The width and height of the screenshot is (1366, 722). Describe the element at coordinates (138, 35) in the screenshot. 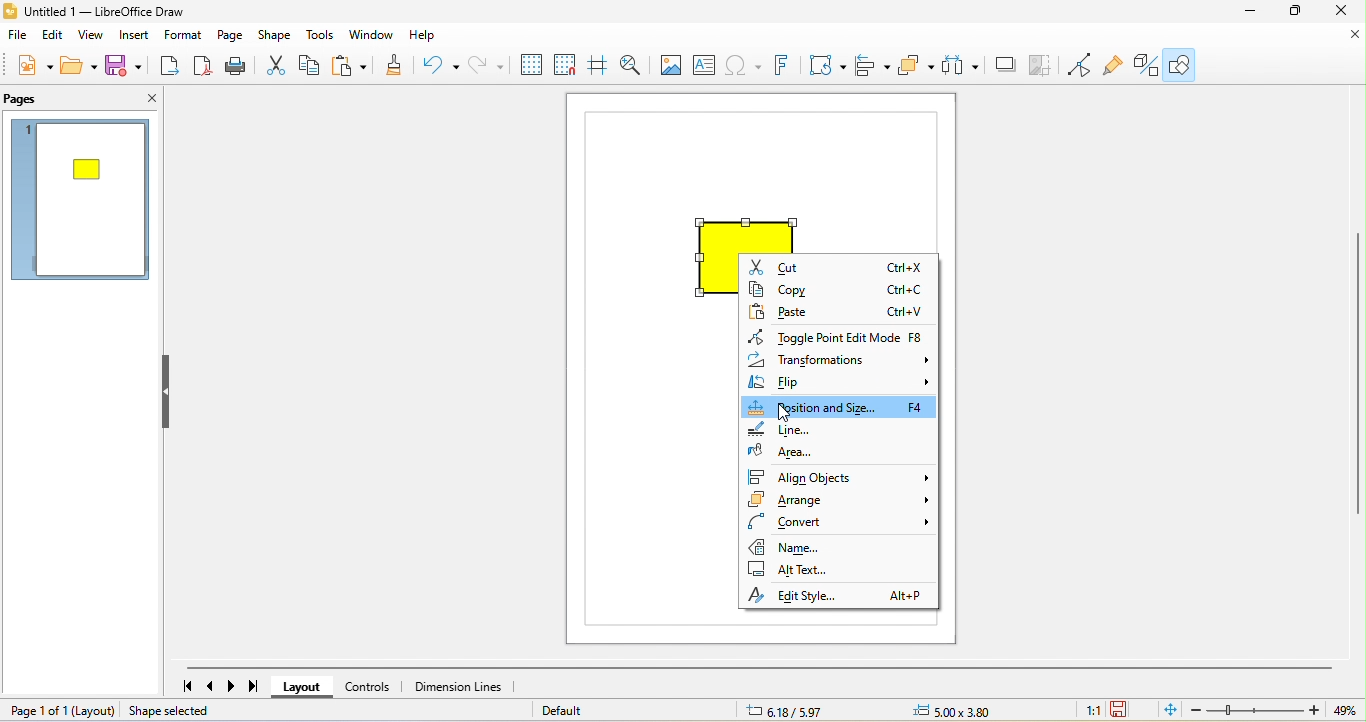

I see `insert` at that location.